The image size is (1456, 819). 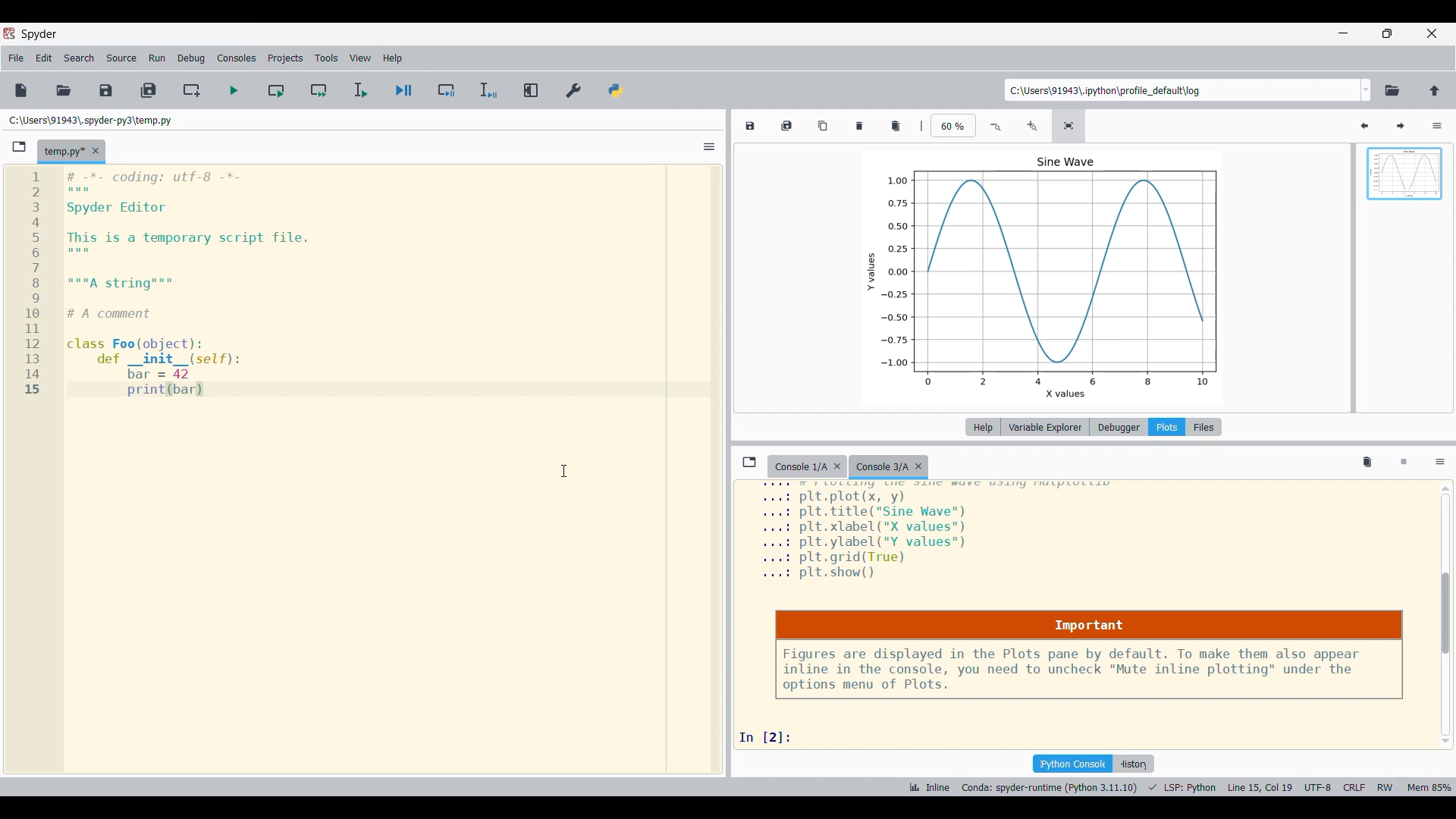 What do you see at coordinates (80, 58) in the screenshot?
I see `Search menu` at bounding box center [80, 58].